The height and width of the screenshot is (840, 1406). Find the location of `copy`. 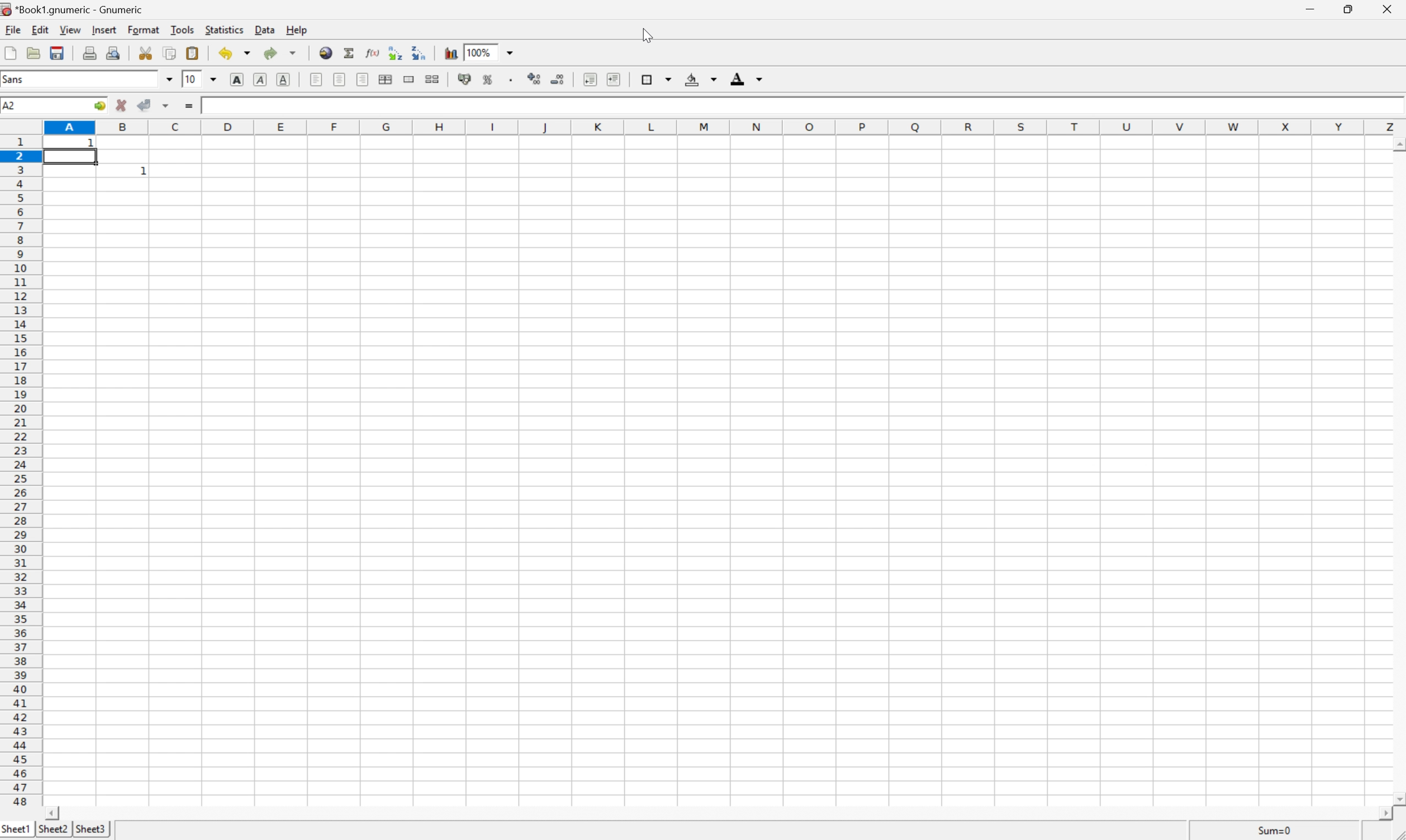

copy is located at coordinates (172, 50).